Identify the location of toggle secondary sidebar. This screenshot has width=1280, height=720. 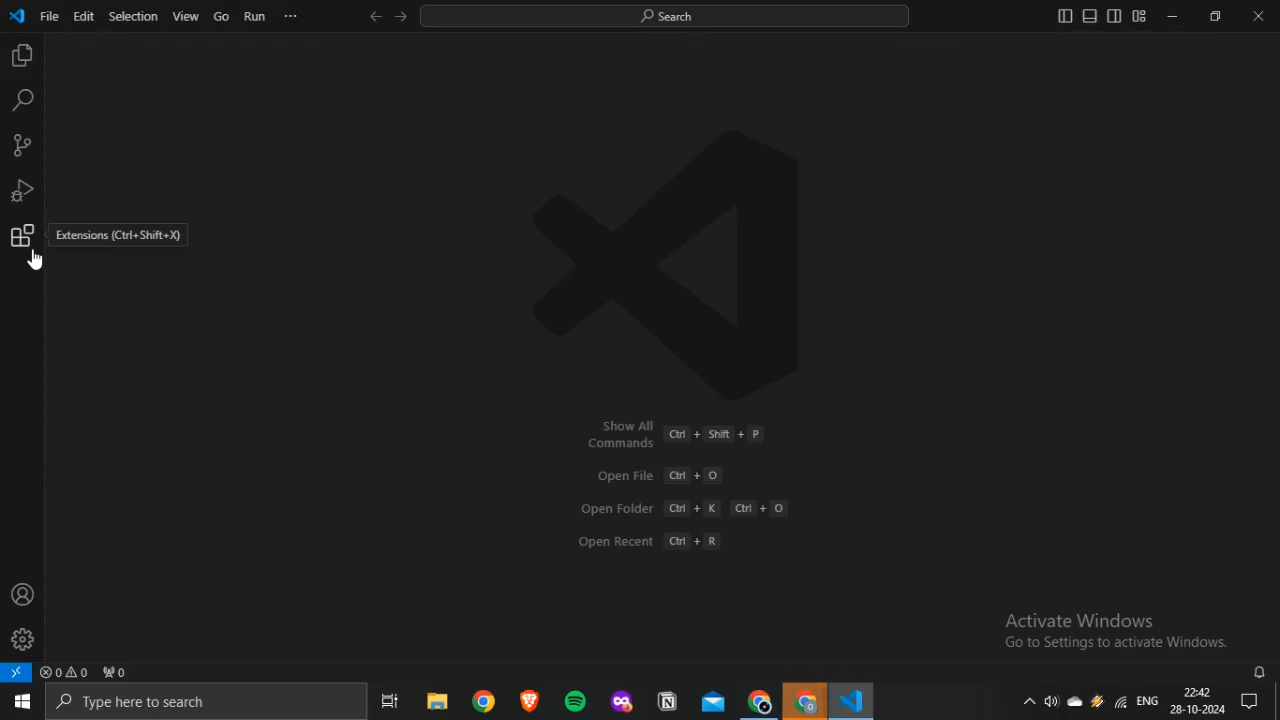
(1115, 15).